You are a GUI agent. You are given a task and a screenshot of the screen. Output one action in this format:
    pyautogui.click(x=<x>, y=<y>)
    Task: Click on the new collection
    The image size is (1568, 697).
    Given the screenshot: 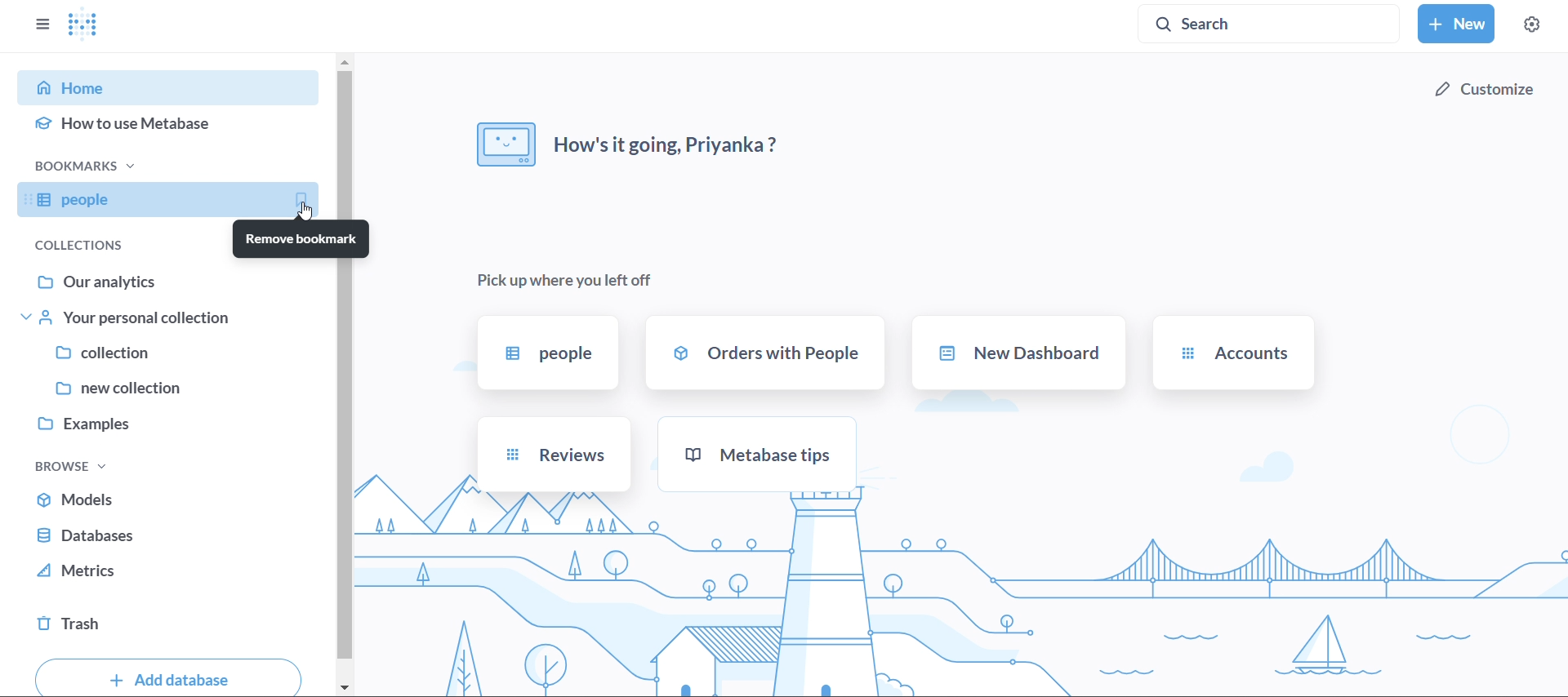 What is the action you would take?
    pyautogui.click(x=167, y=388)
    